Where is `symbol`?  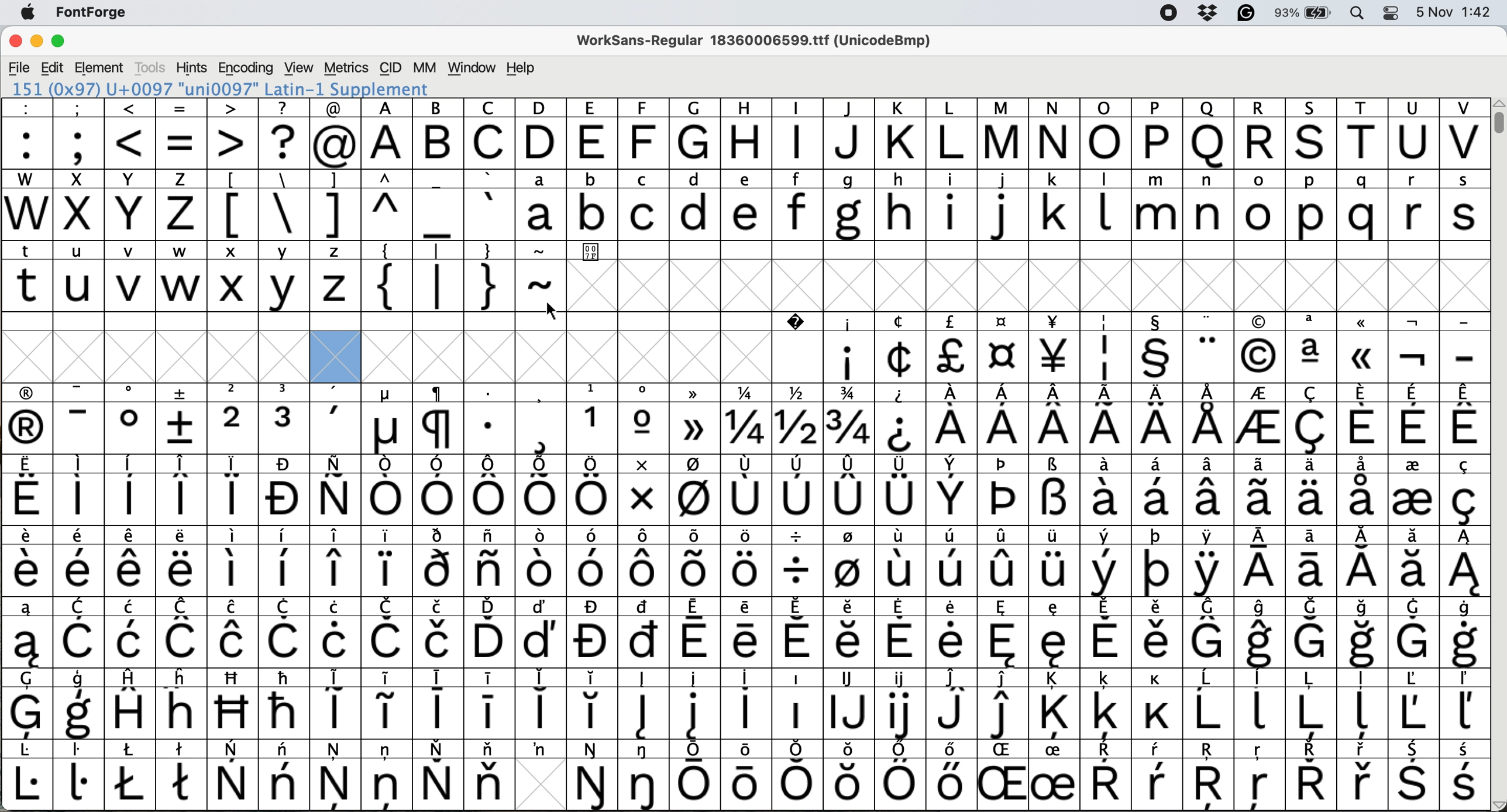
symbol is located at coordinates (1365, 705).